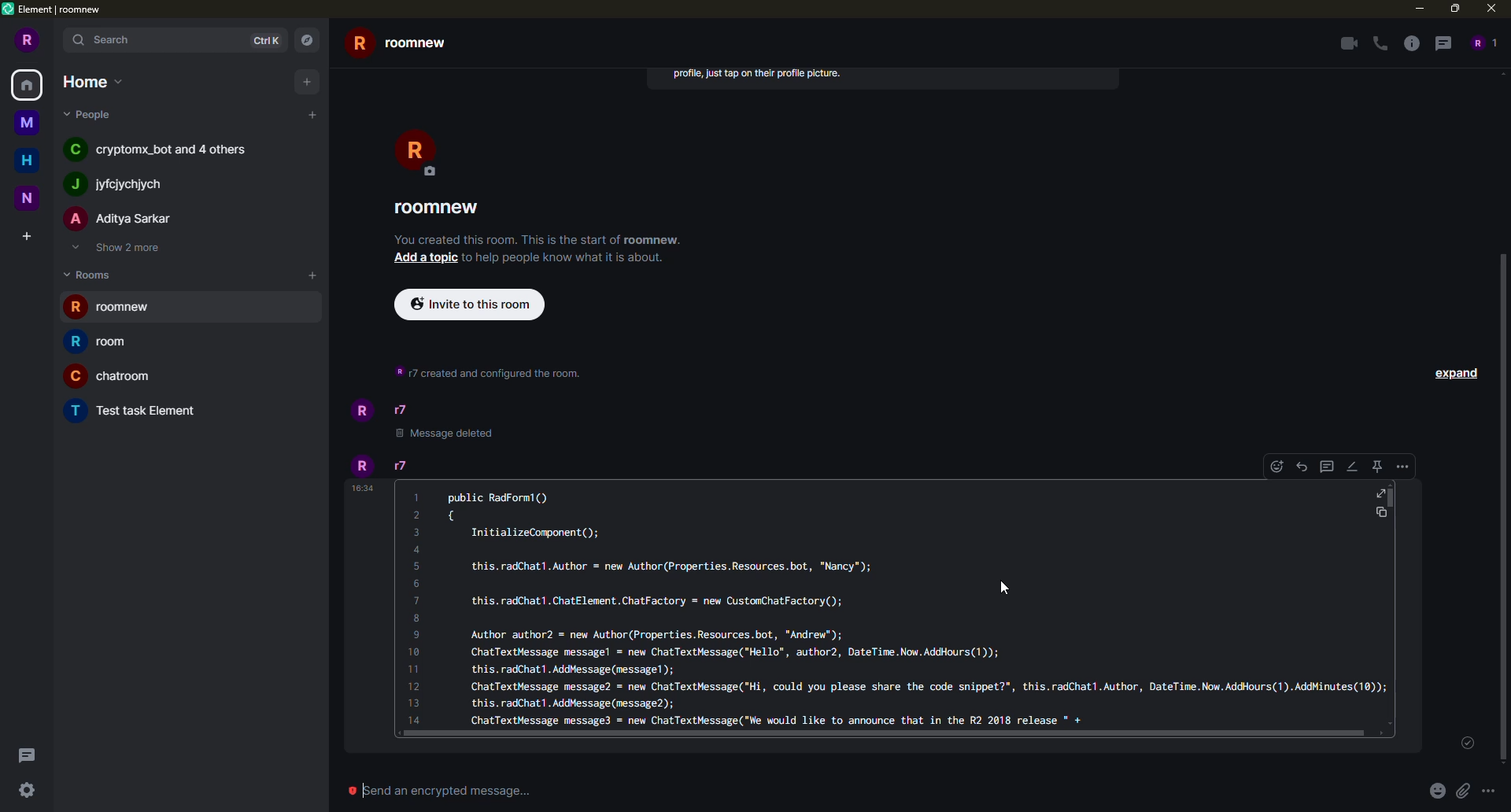 The width and height of the screenshot is (1511, 812). Describe the element at coordinates (1488, 789) in the screenshot. I see `more` at that location.